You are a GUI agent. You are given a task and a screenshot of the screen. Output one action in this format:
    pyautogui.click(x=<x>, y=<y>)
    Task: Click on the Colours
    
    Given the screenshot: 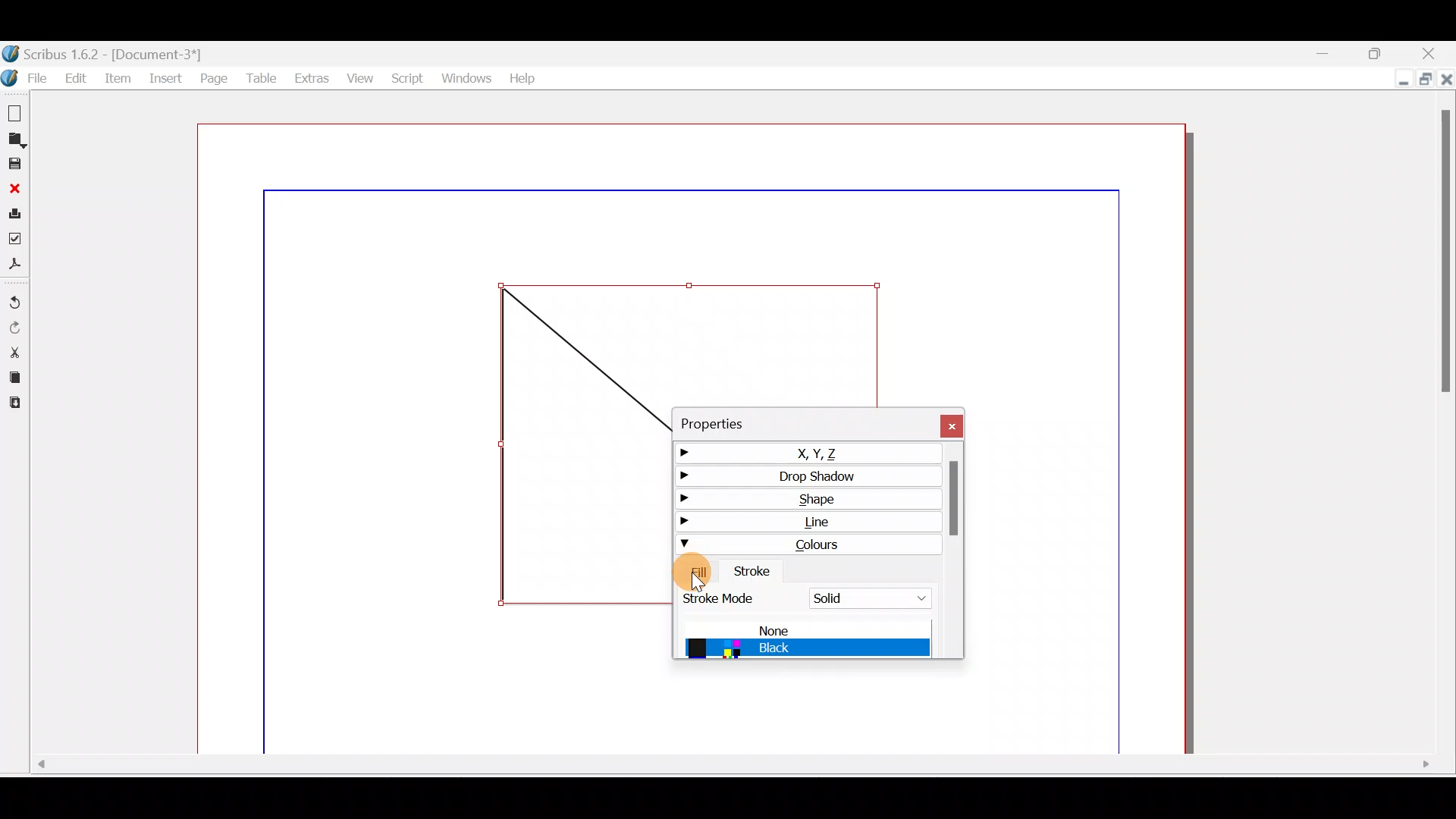 What is the action you would take?
    pyautogui.click(x=807, y=543)
    